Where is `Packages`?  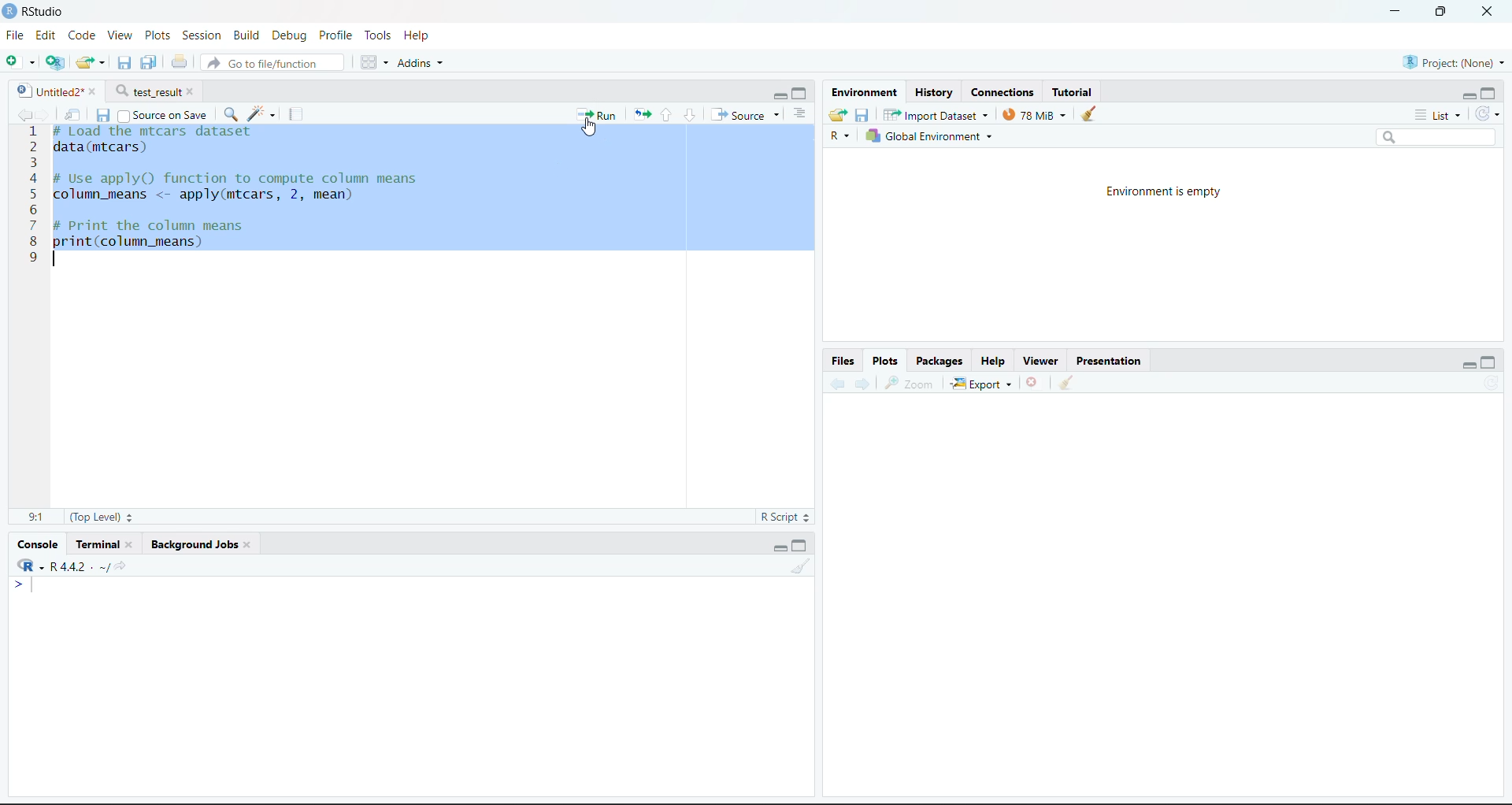 Packages is located at coordinates (939, 358).